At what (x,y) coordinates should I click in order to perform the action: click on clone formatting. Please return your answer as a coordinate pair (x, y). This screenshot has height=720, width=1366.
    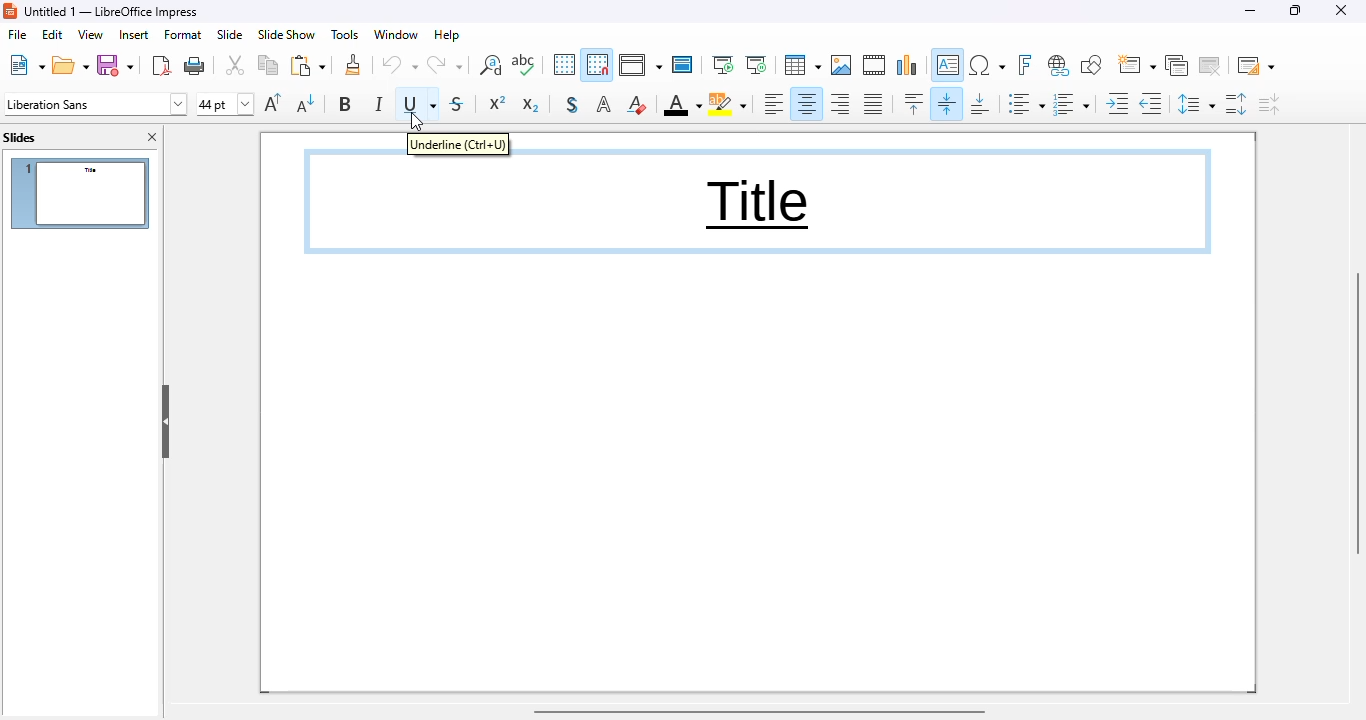
    Looking at the image, I should click on (353, 65).